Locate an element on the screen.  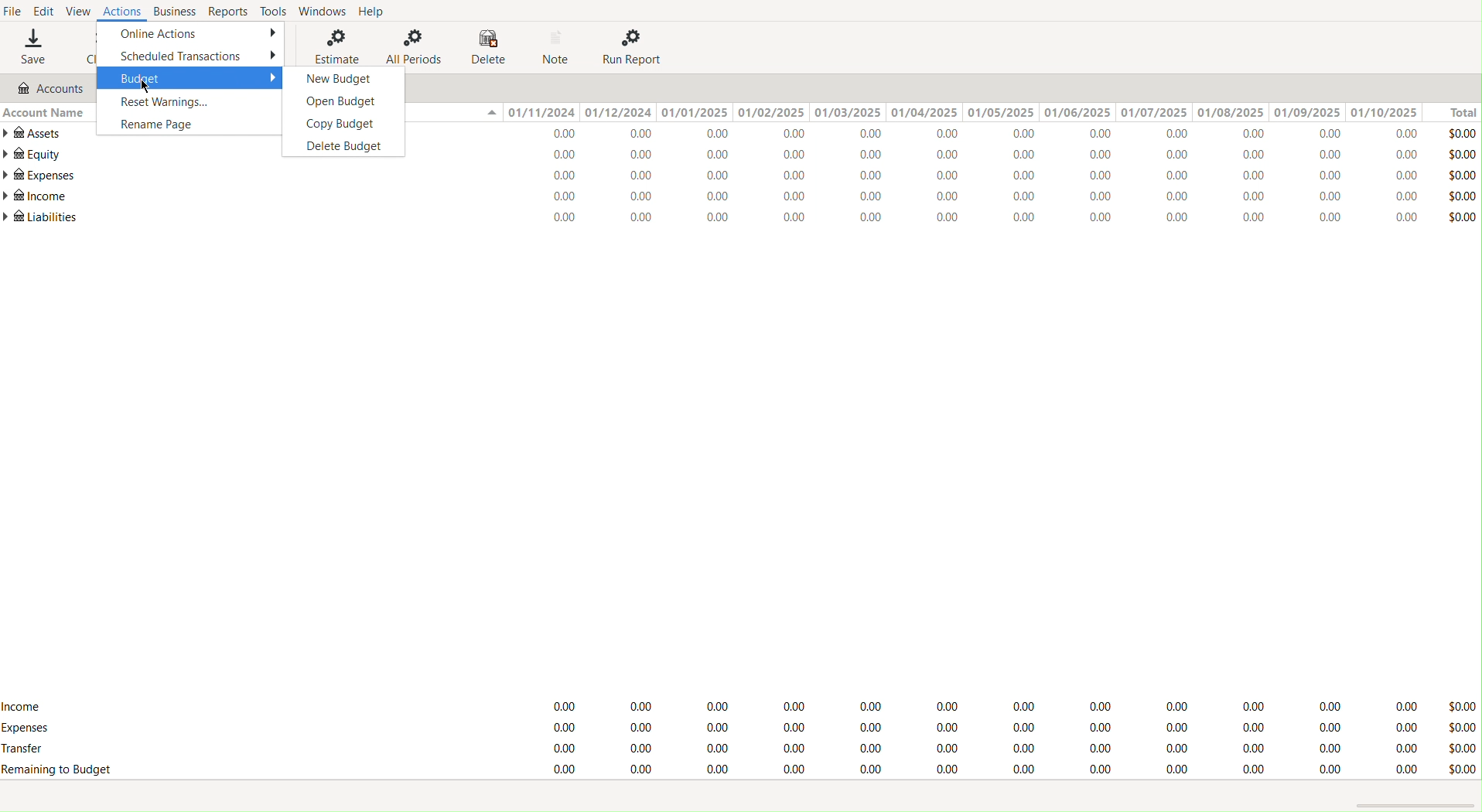
Income is located at coordinates (25, 704).